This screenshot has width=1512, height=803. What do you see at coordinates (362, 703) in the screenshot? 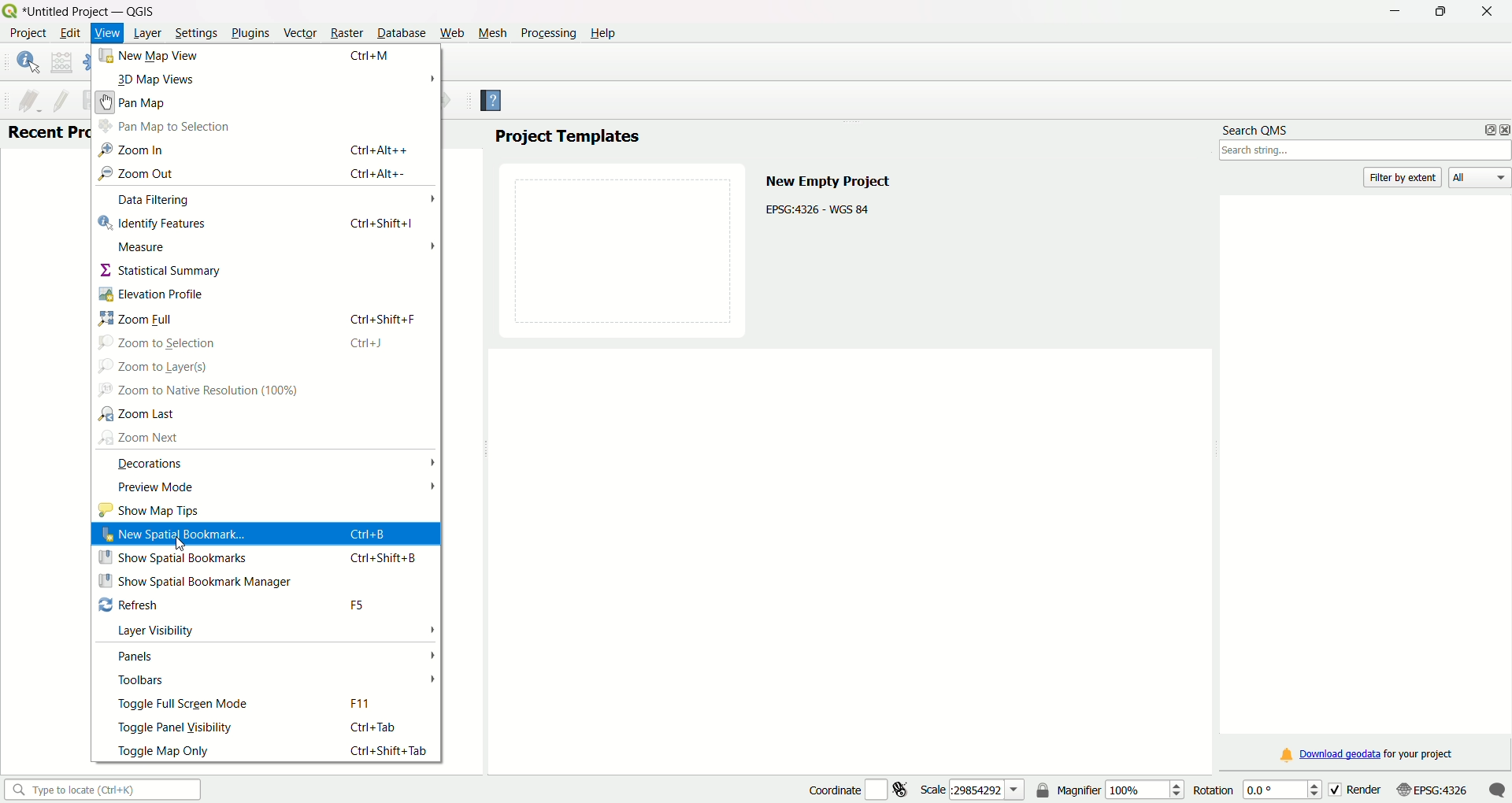
I see `F11` at bounding box center [362, 703].